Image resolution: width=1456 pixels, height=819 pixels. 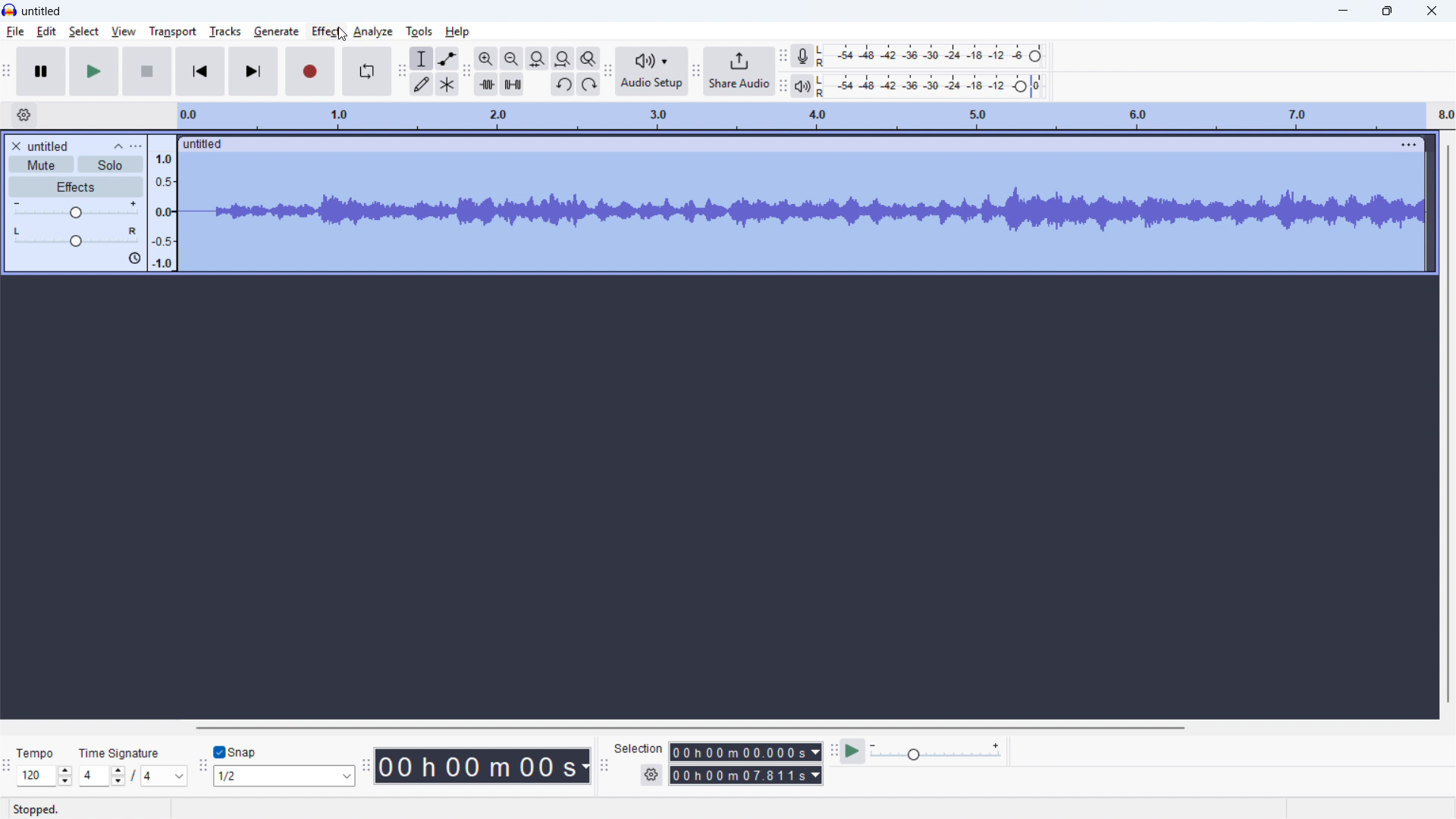 What do you see at coordinates (236, 752) in the screenshot?
I see `Toggle snap ` at bounding box center [236, 752].